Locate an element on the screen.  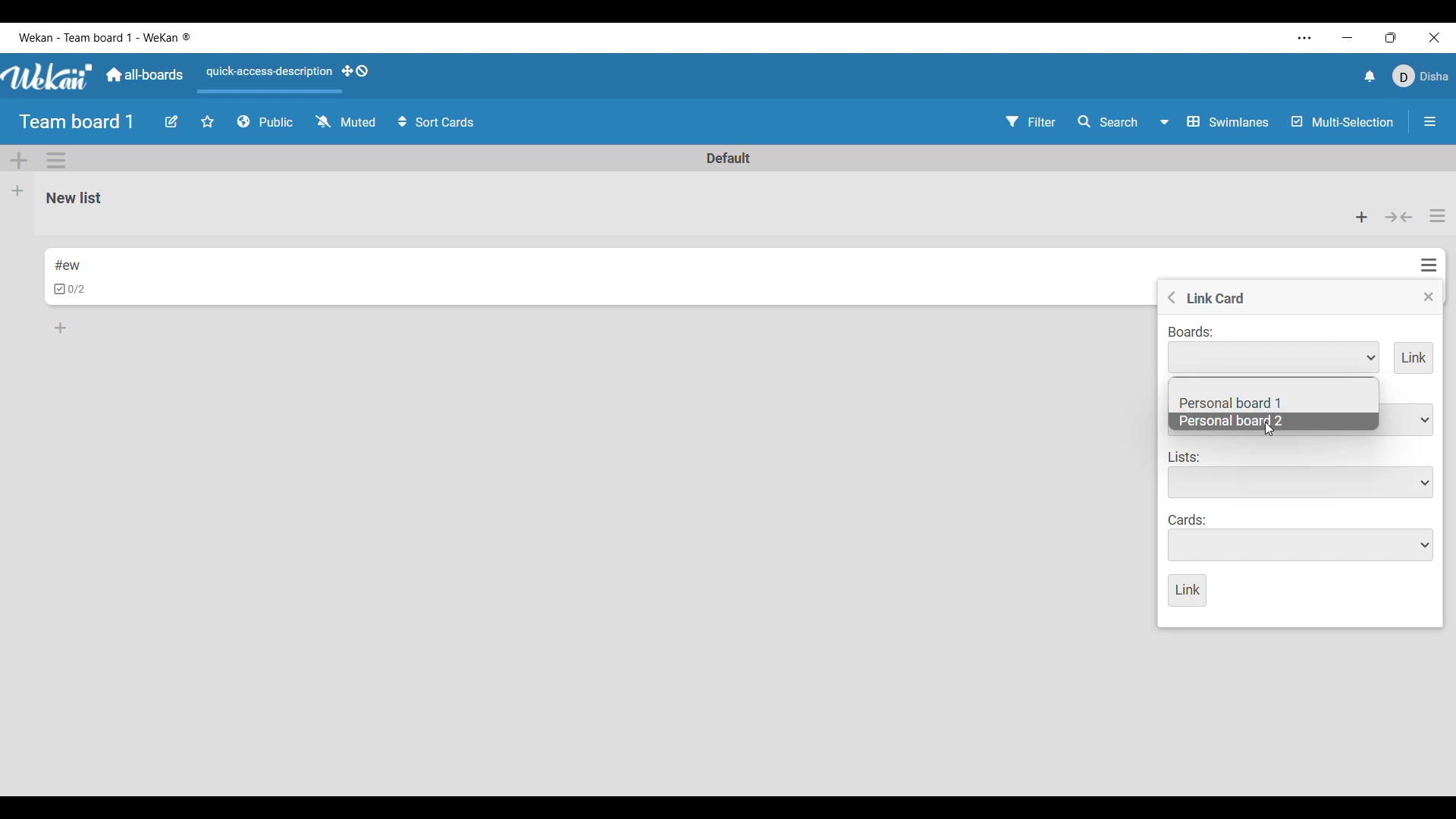
Indicates card options is located at coordinates (1188, 520).